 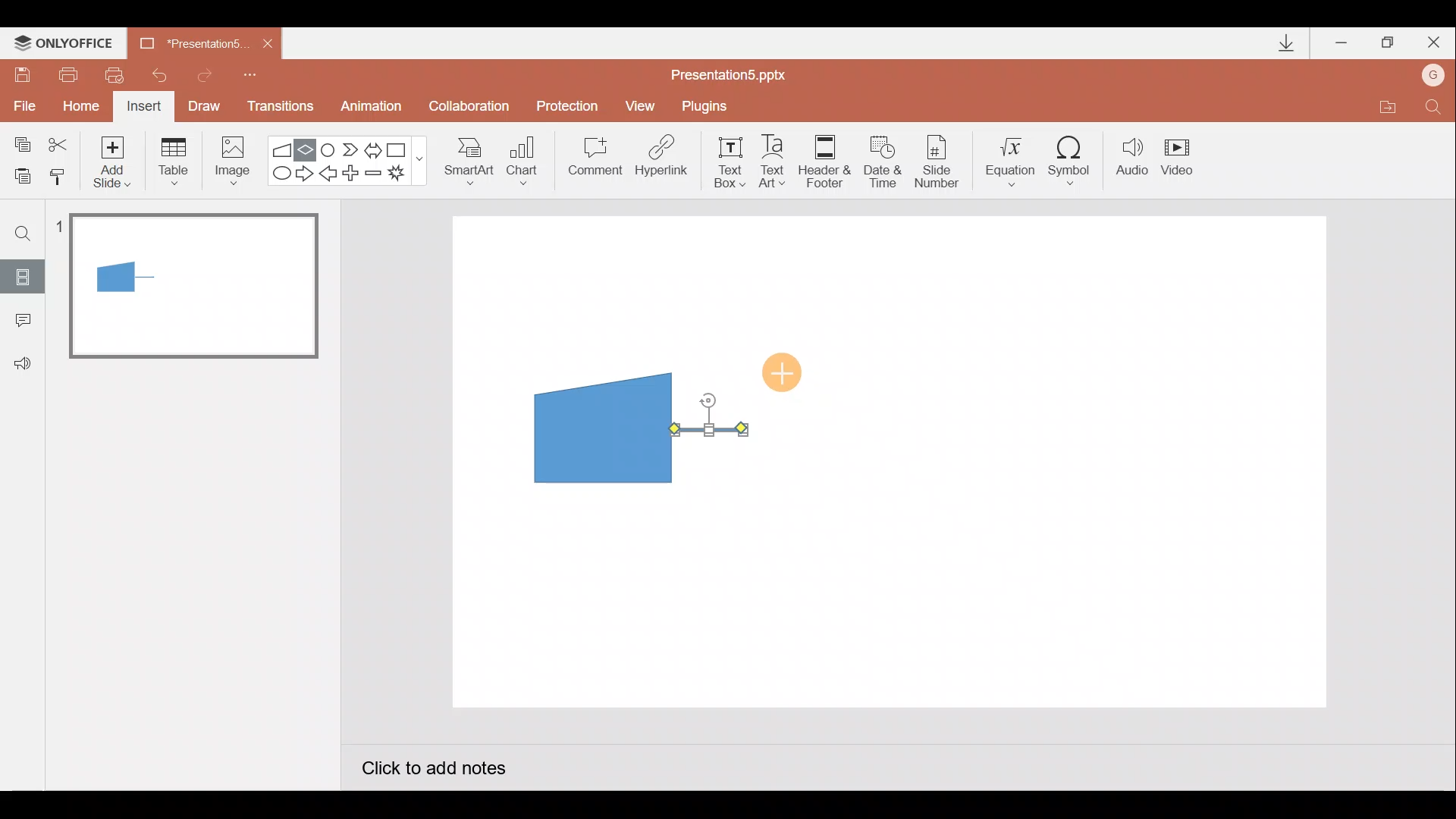 I want to click on Chevron, so click(x=352, y=150).